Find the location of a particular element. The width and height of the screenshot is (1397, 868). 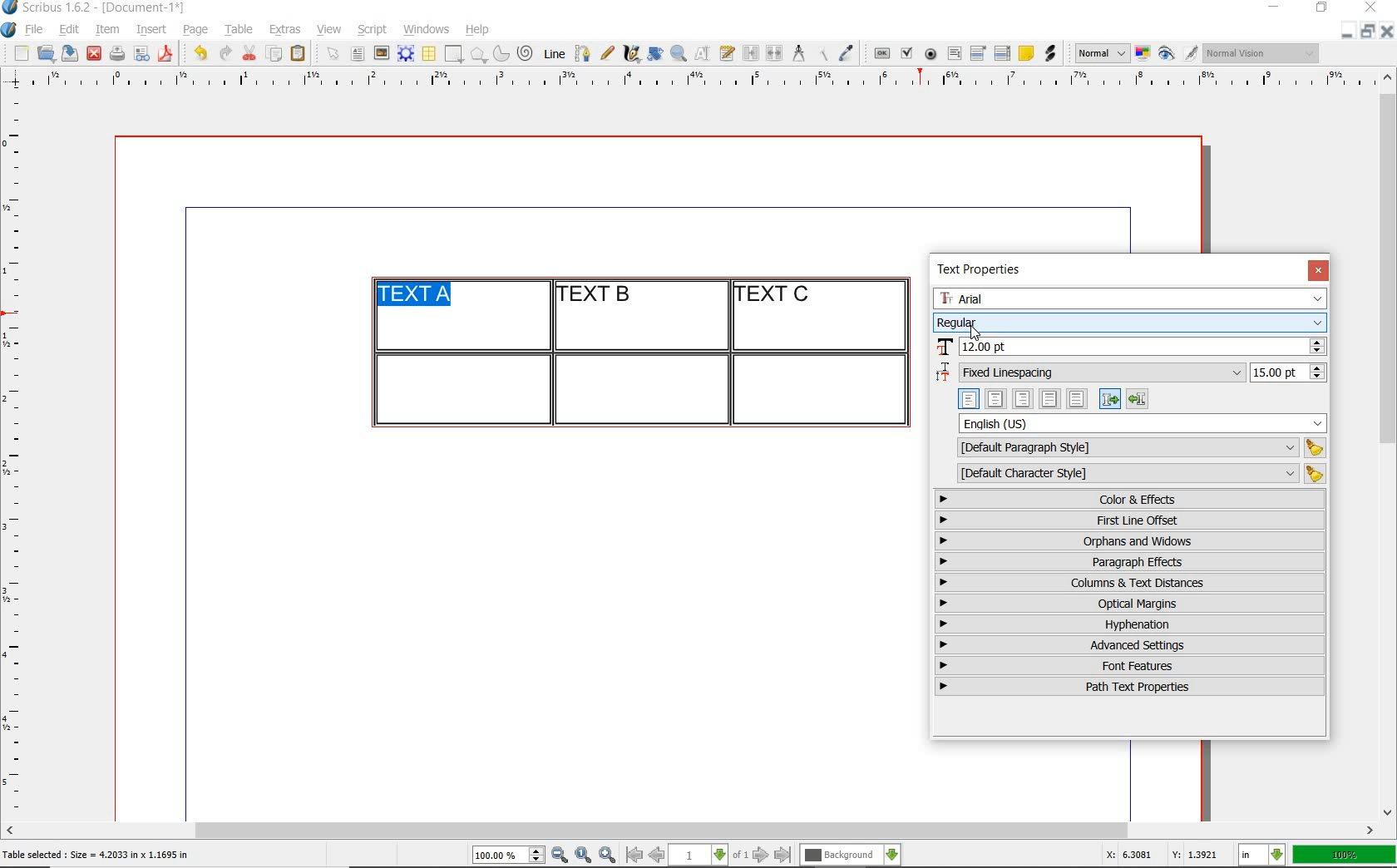

orphans & windows is located at coordinates (1128, 542).